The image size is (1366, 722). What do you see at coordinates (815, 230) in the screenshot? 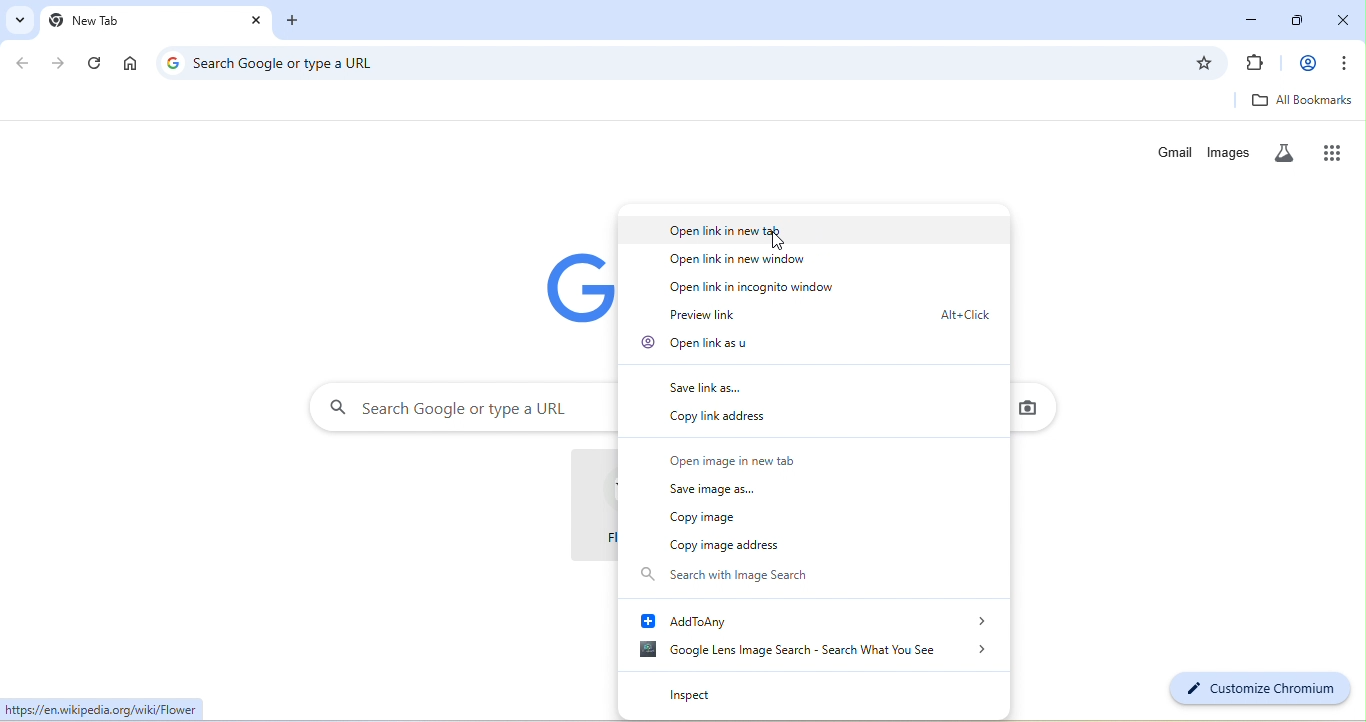
I see `open link in new tab` at bounding box center [815, 230].